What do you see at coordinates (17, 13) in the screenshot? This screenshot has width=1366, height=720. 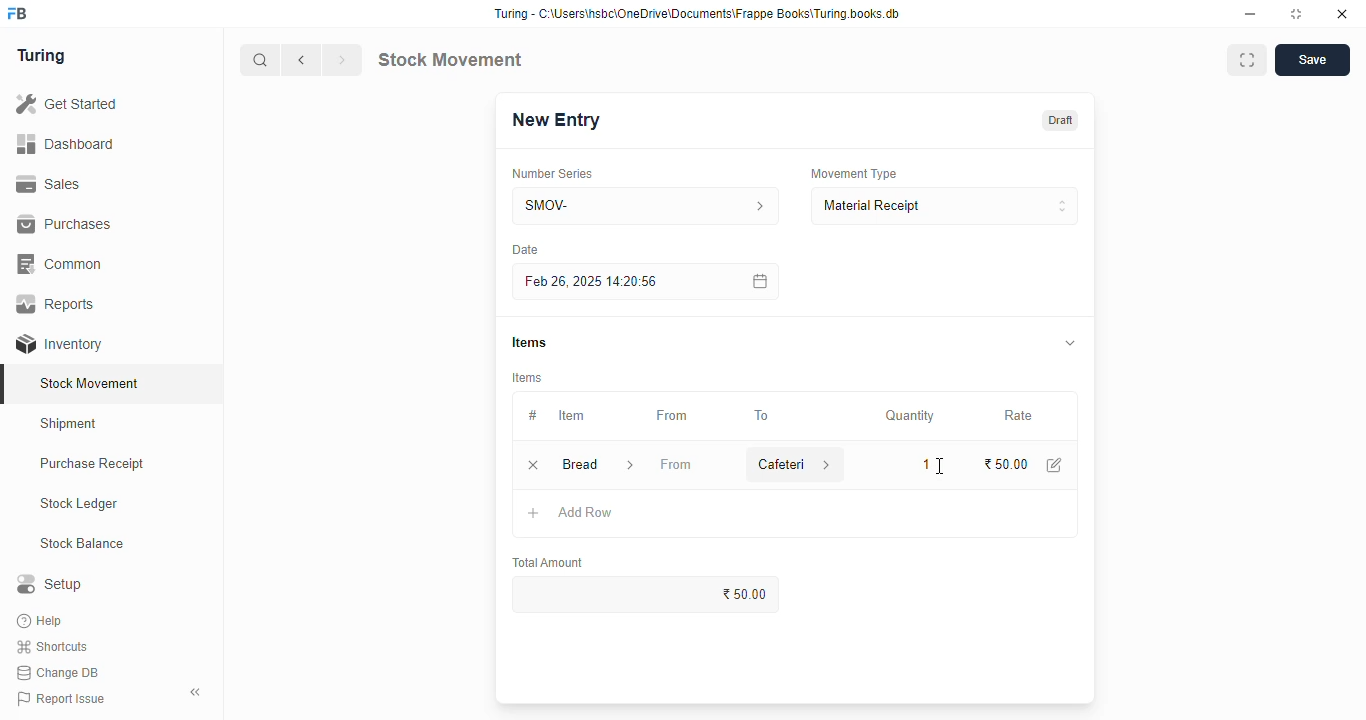 I see `FB-logo` at bounding box center [17, 13].